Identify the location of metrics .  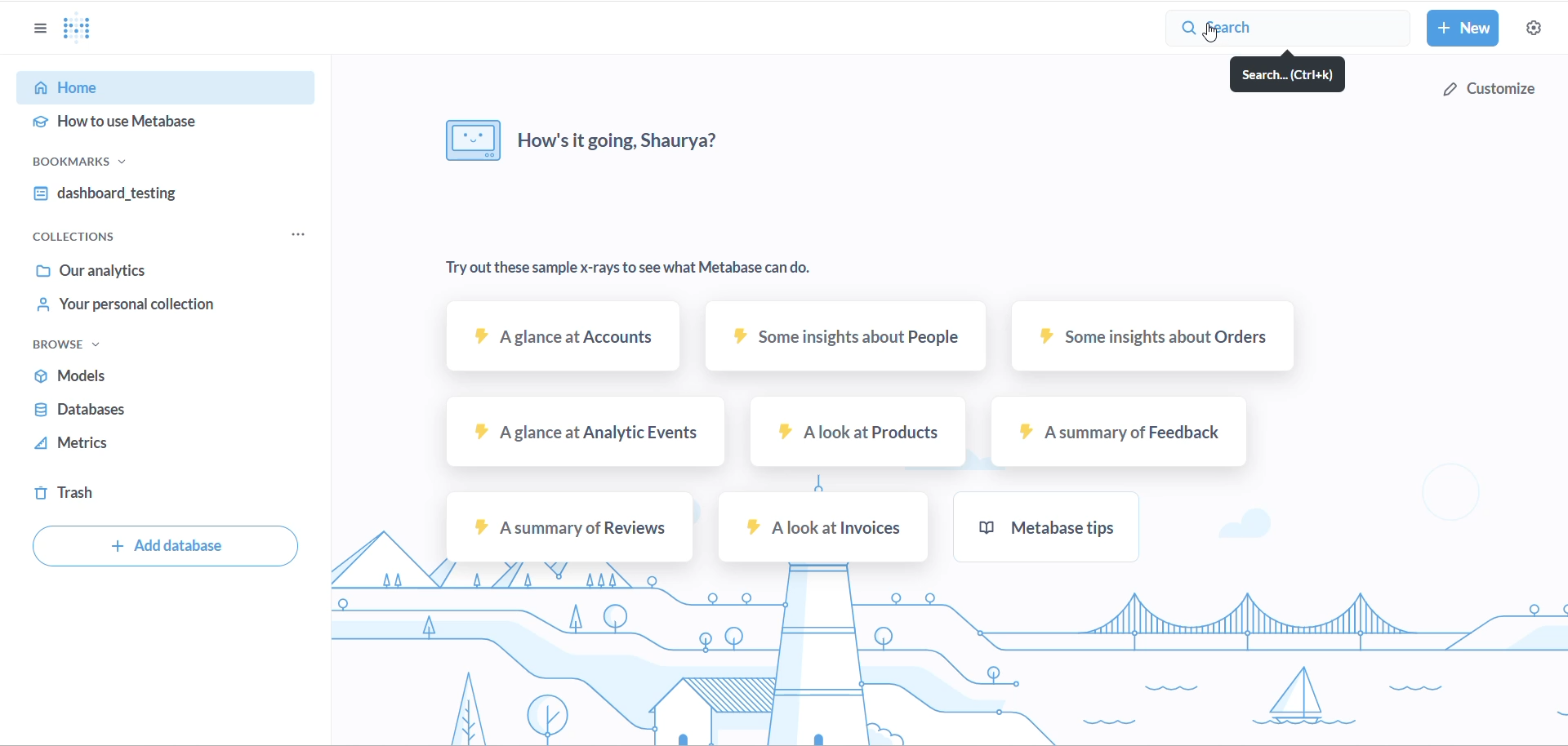
(141, 446).